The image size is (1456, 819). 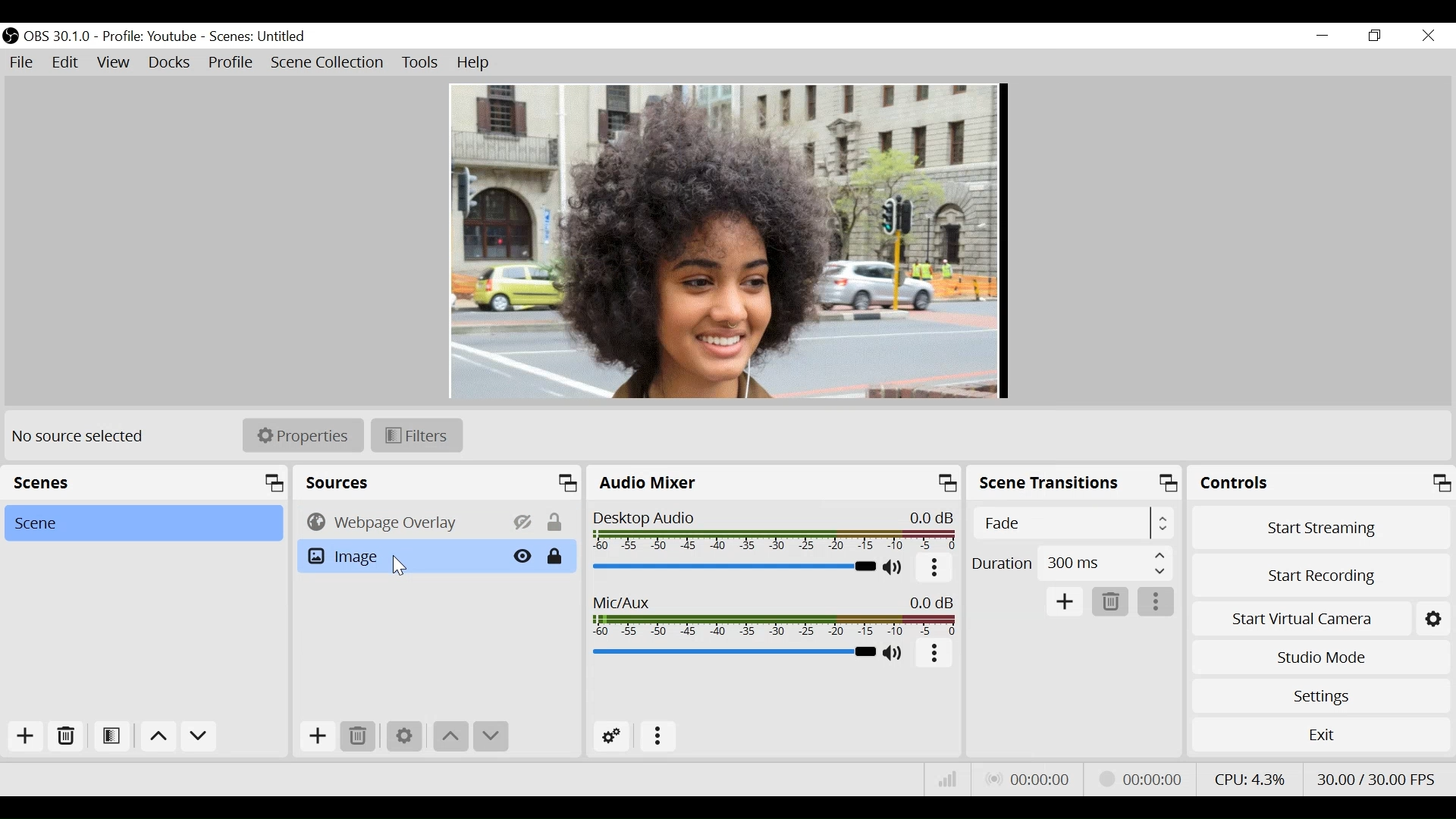 I want to click on more options, so click(x=1156, y=602).